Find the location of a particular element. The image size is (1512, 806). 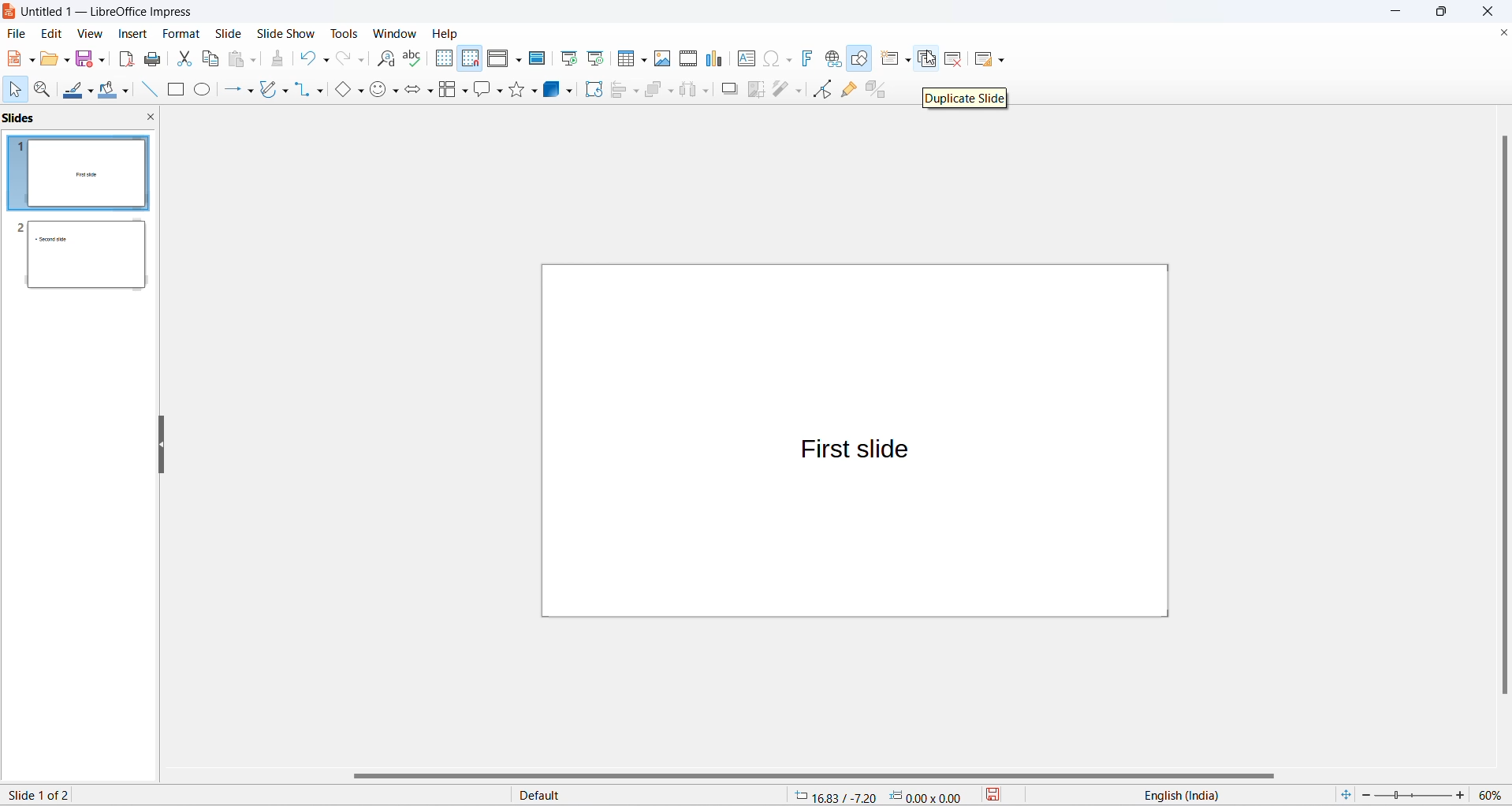

line  is located at coordinates (233, 91).